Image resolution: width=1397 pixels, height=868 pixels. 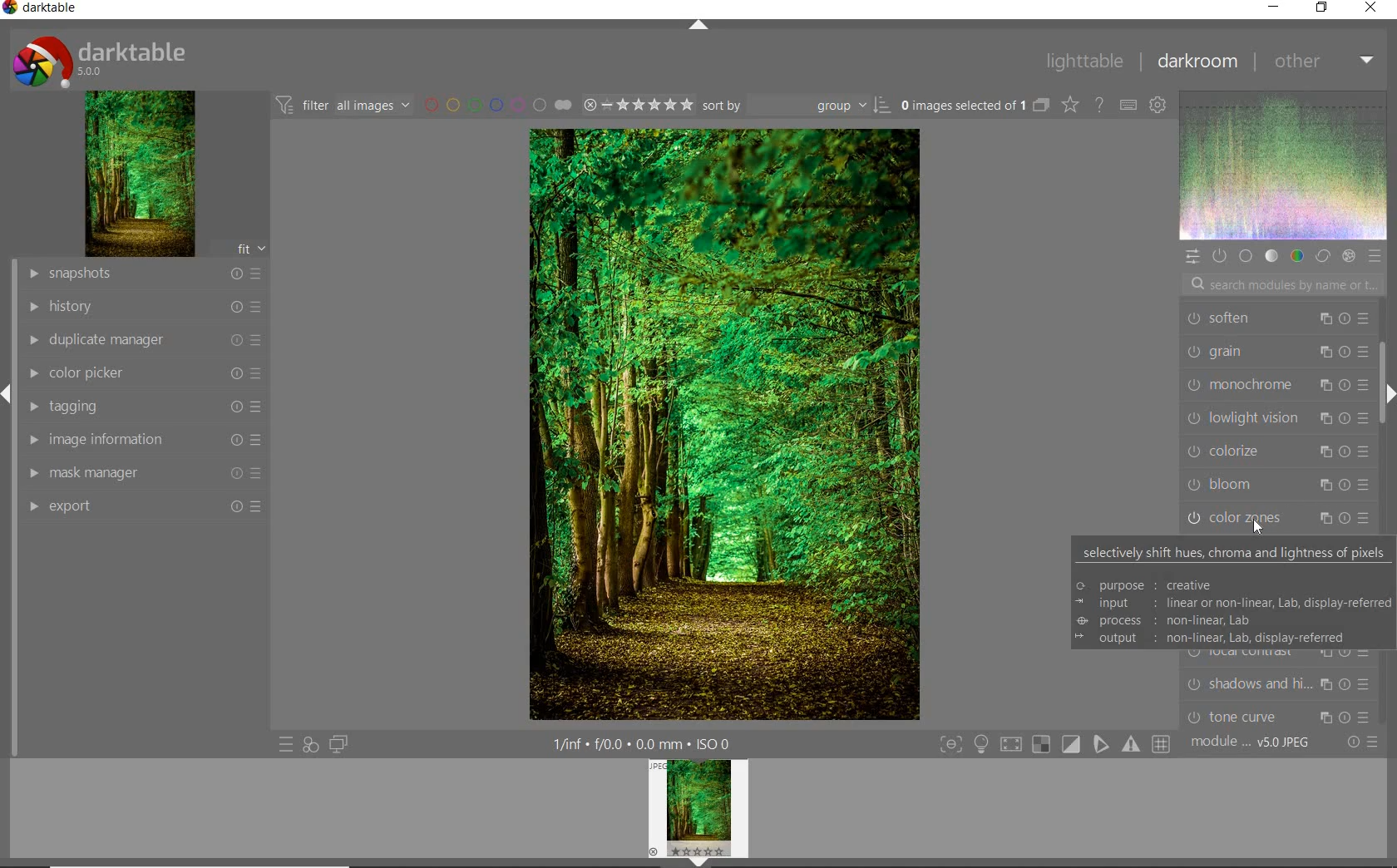 What do you see at coordinates (1258, 525) in the screenshot?
I see `cursor` at bounding box center [1258, 525].